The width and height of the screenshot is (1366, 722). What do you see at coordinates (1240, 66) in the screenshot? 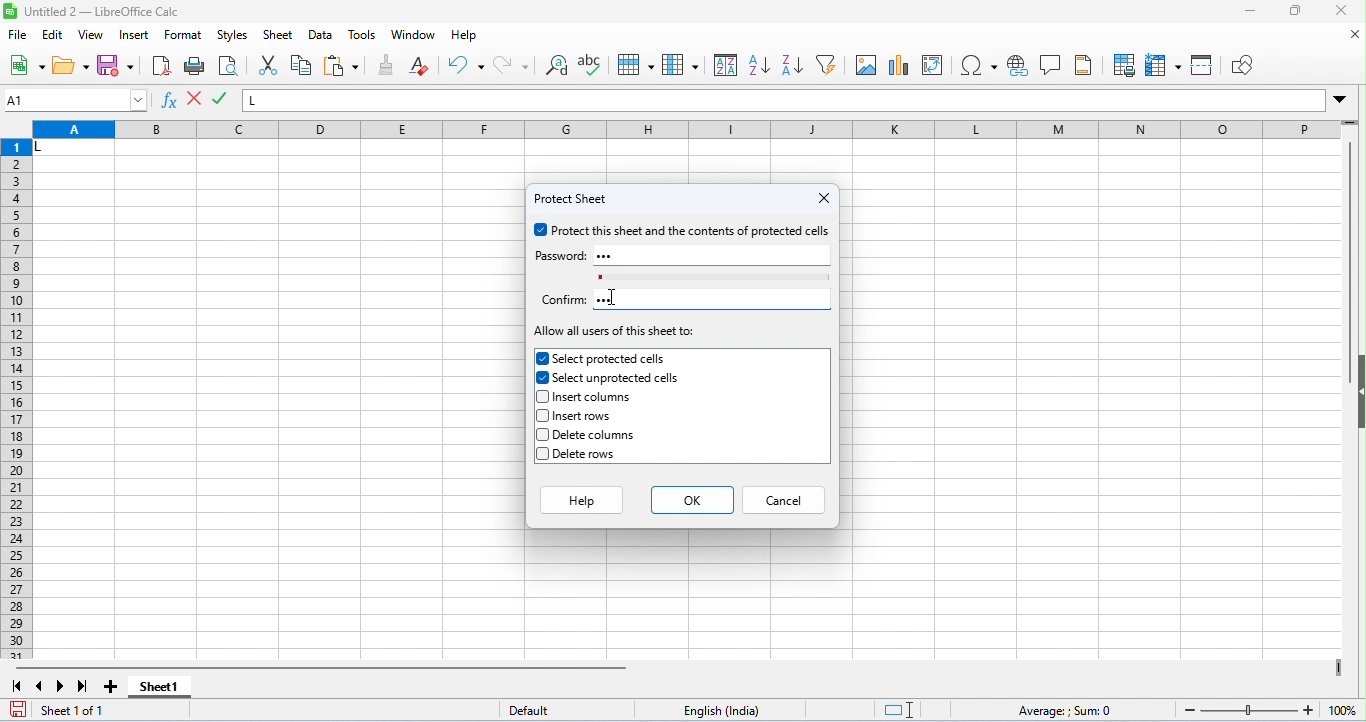
I see `show draw functions` at bounding box center [1240, 66].